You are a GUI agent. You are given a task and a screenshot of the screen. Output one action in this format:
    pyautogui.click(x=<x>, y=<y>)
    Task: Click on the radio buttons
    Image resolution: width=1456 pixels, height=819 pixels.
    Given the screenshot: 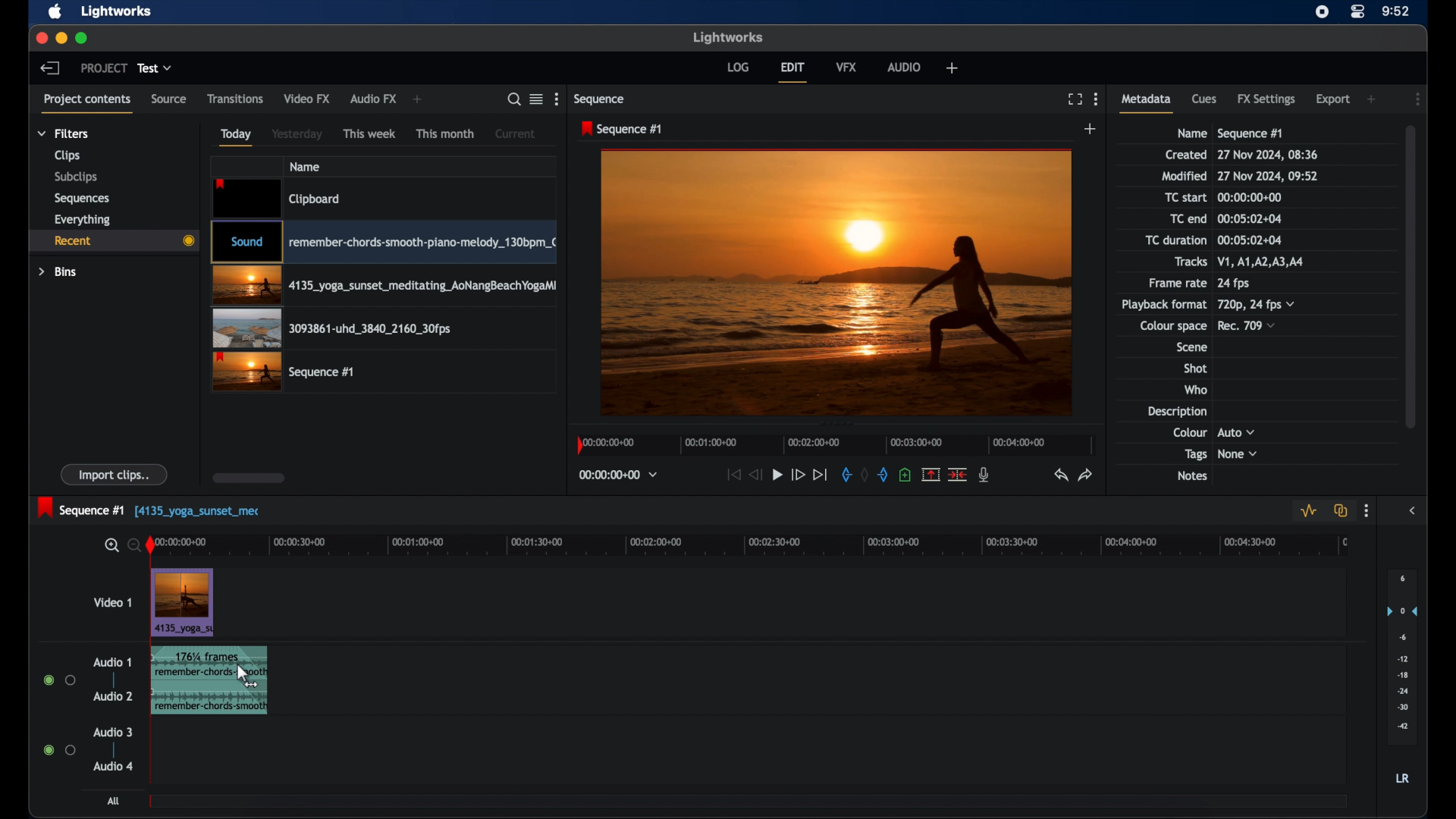 What is the action you would take?
    pyautogui.click(x=59, y=679)
    